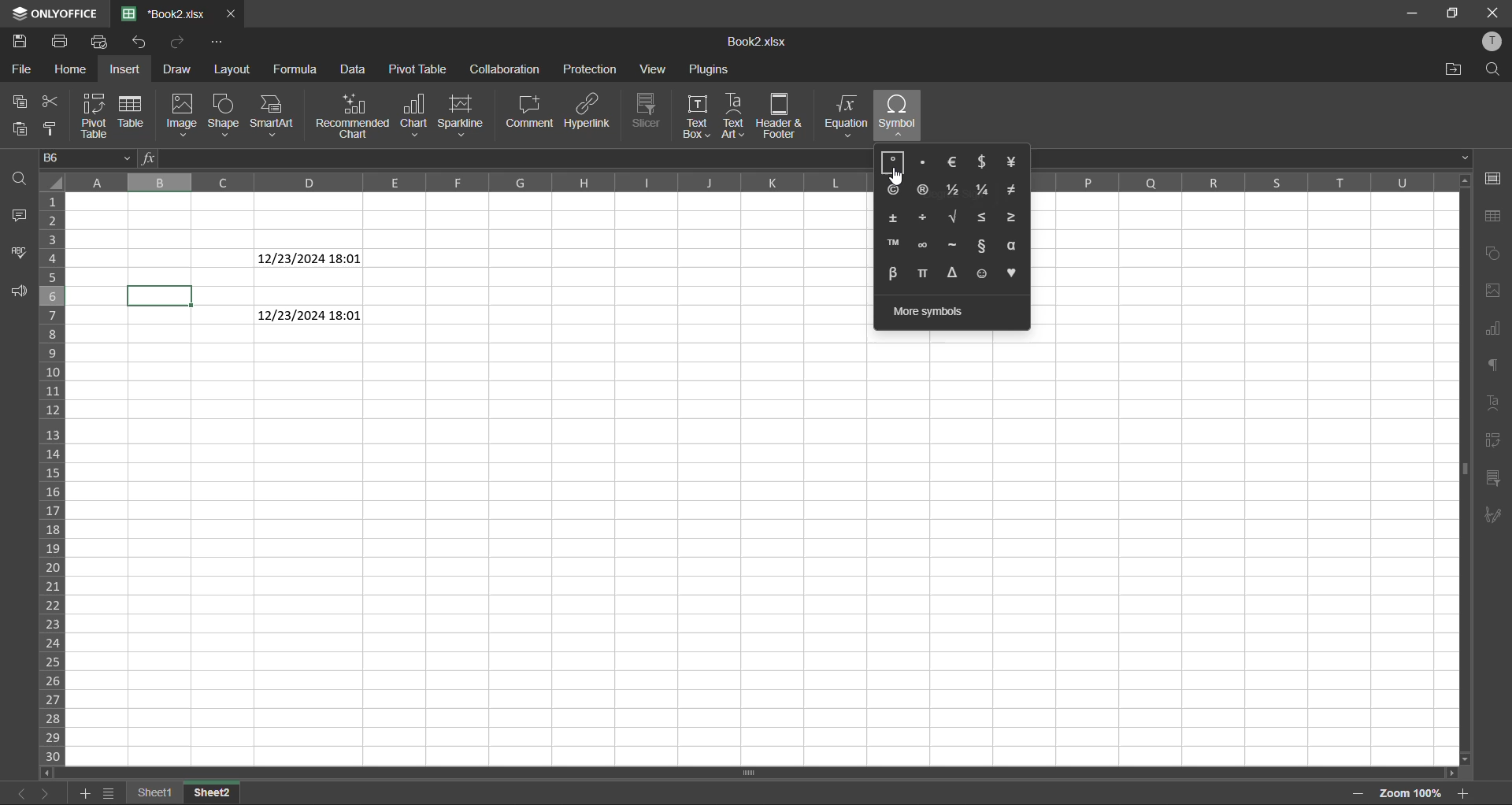 This screenshot has height=805, width=1512. I want to click on find, so click(20, 177).